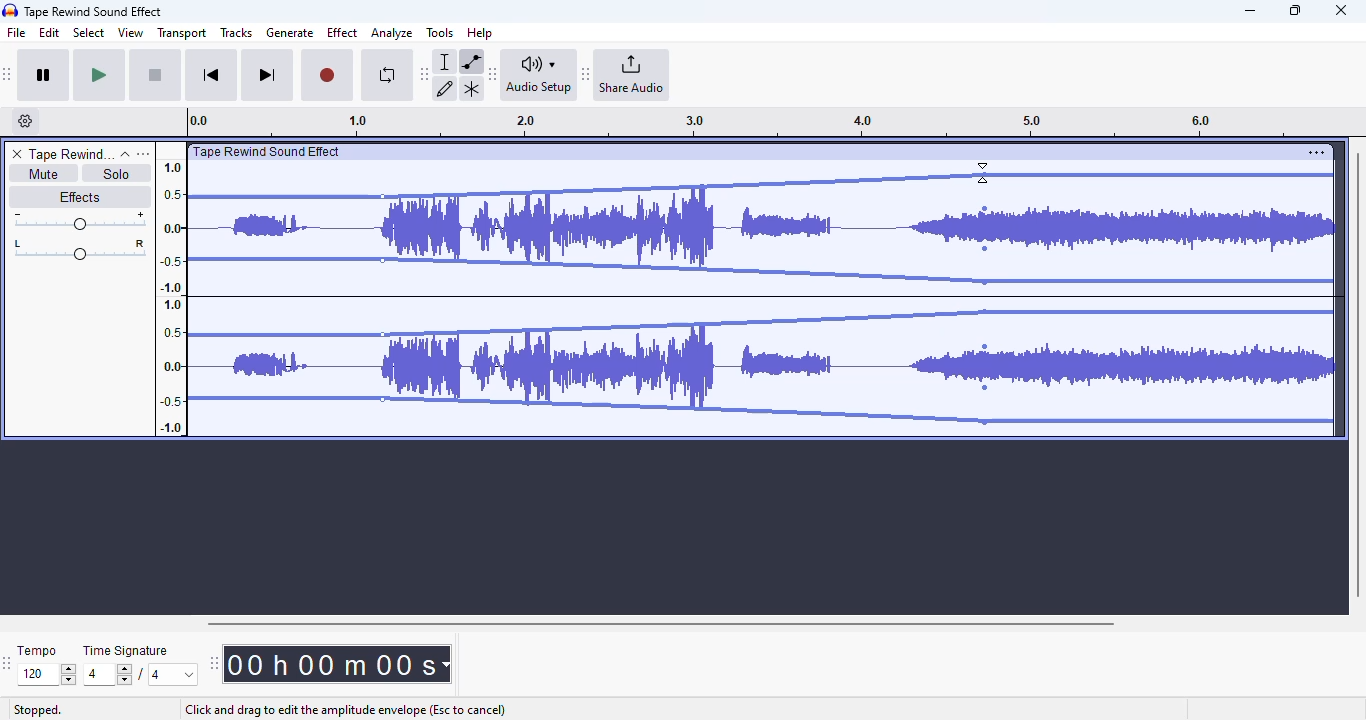 The height and width of the screenshot is (720, 1366). What do you see at coordinates (985, 347) in the screenshot?
I see `Control point` at bounding box center [985, 347].